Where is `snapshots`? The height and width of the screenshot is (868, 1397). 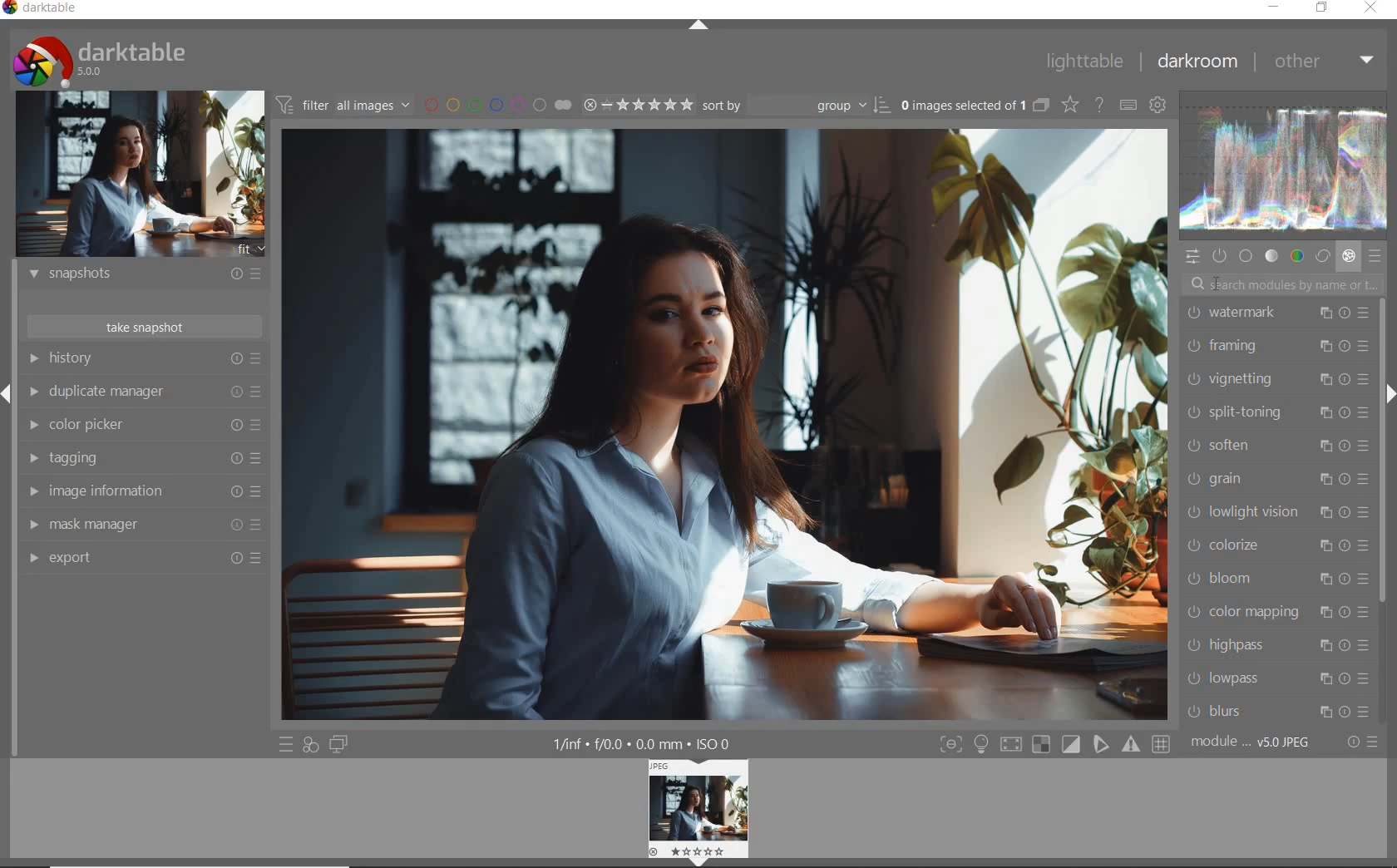 snapshots is located at coordinates (147, 274).